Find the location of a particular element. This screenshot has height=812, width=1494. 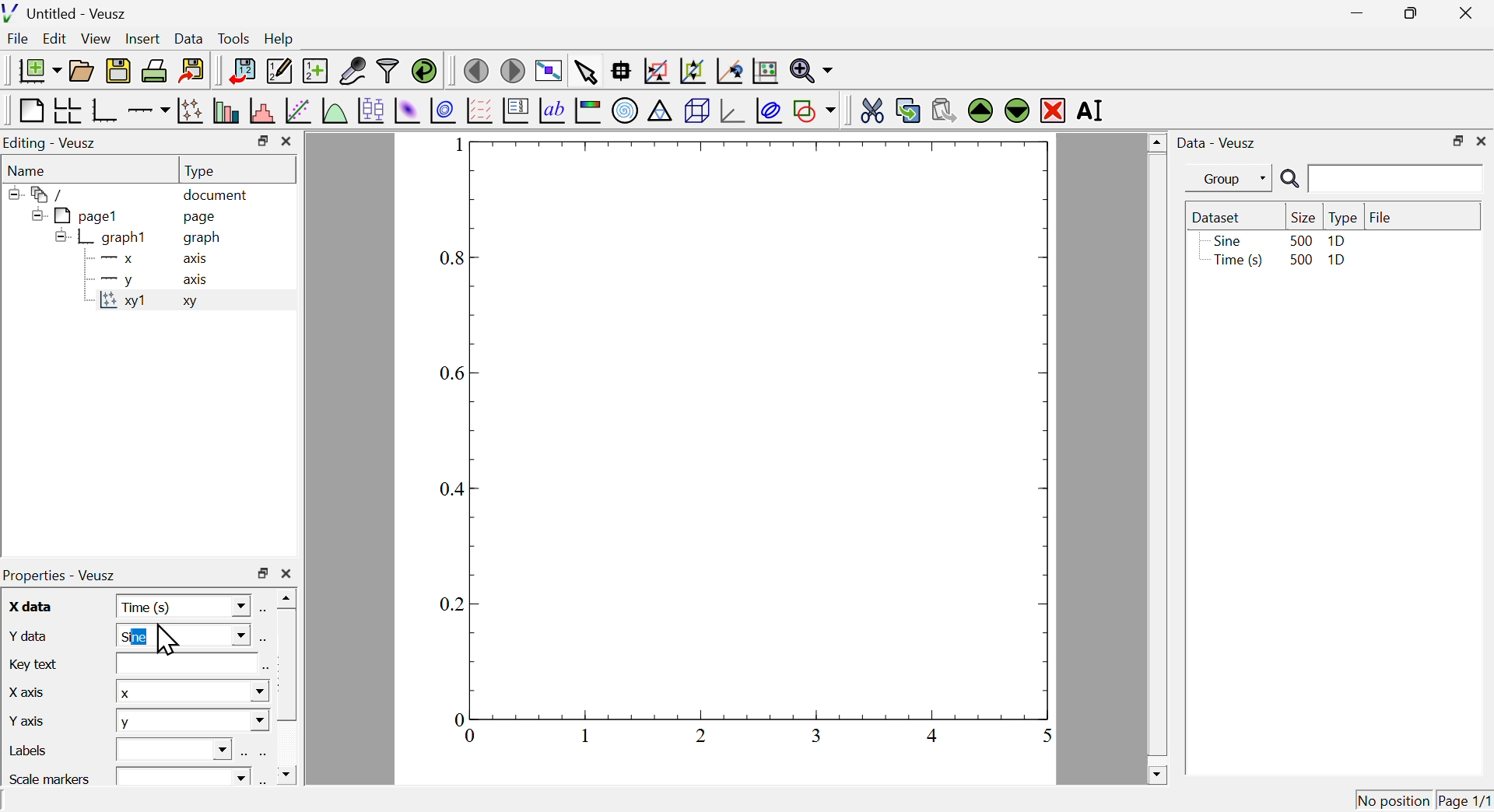

x is located at coordinates (113, 261).